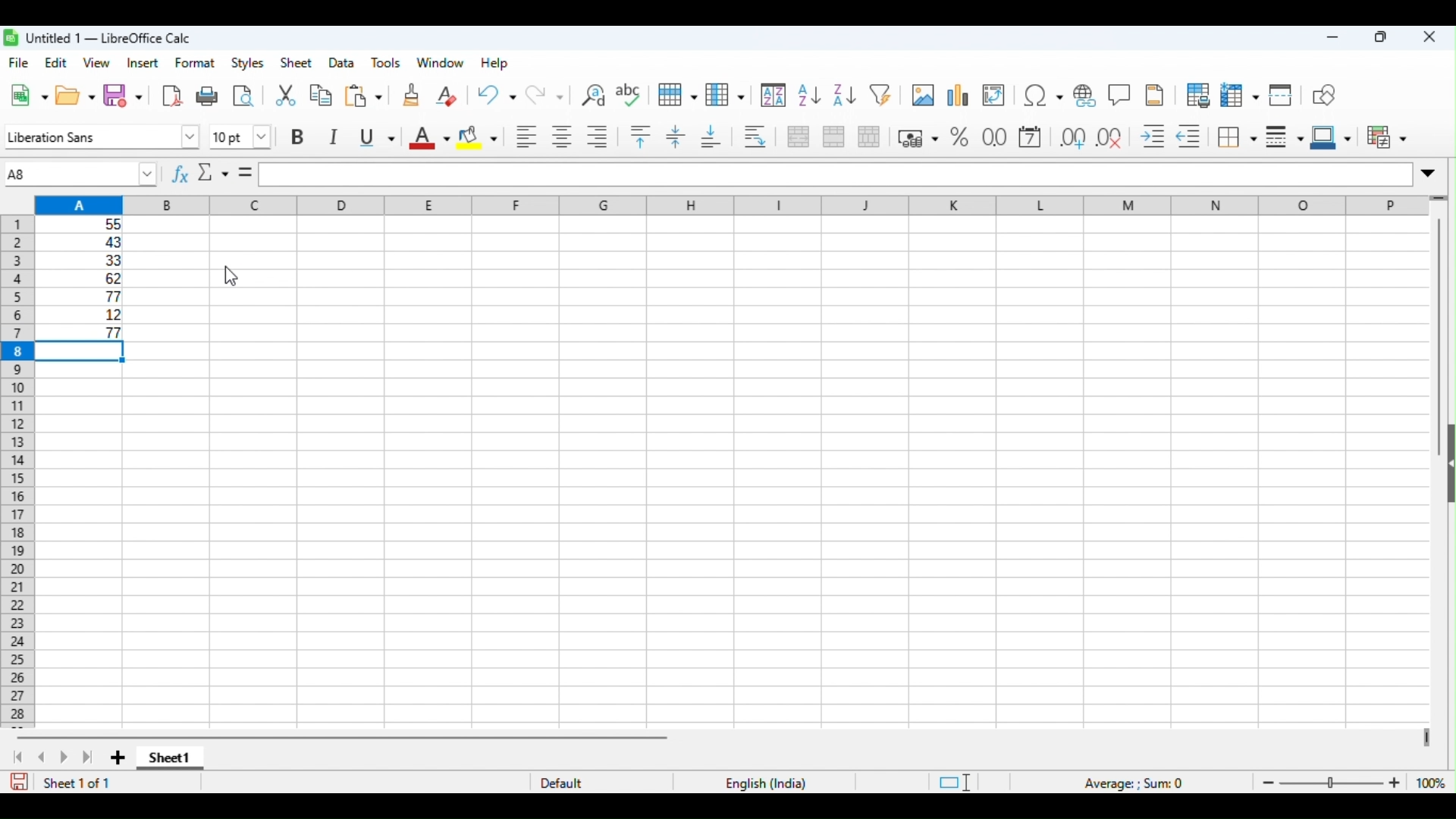  Describe the element at coordinates (1120, 93) in the screenshot. I see `insert comment` at that location.